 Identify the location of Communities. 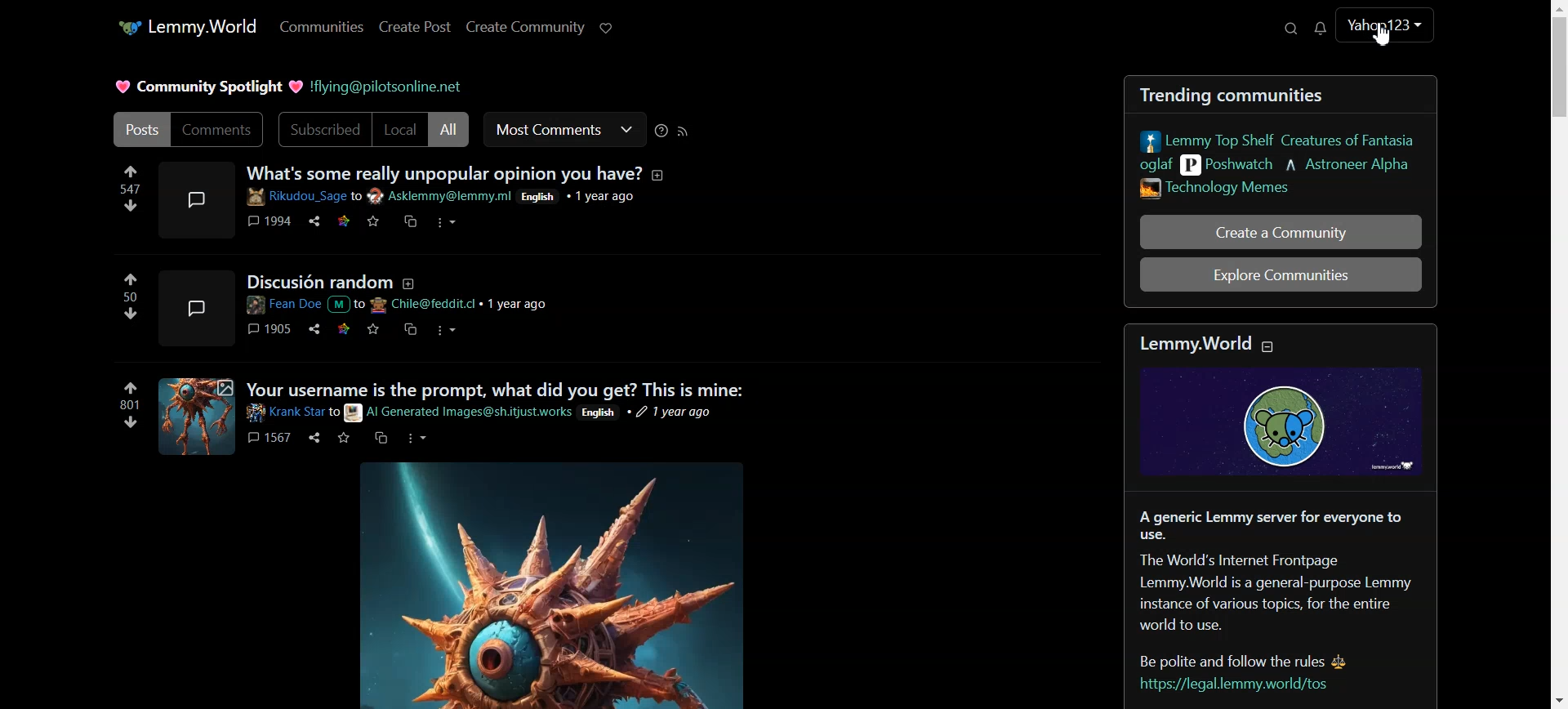
(324, 27).